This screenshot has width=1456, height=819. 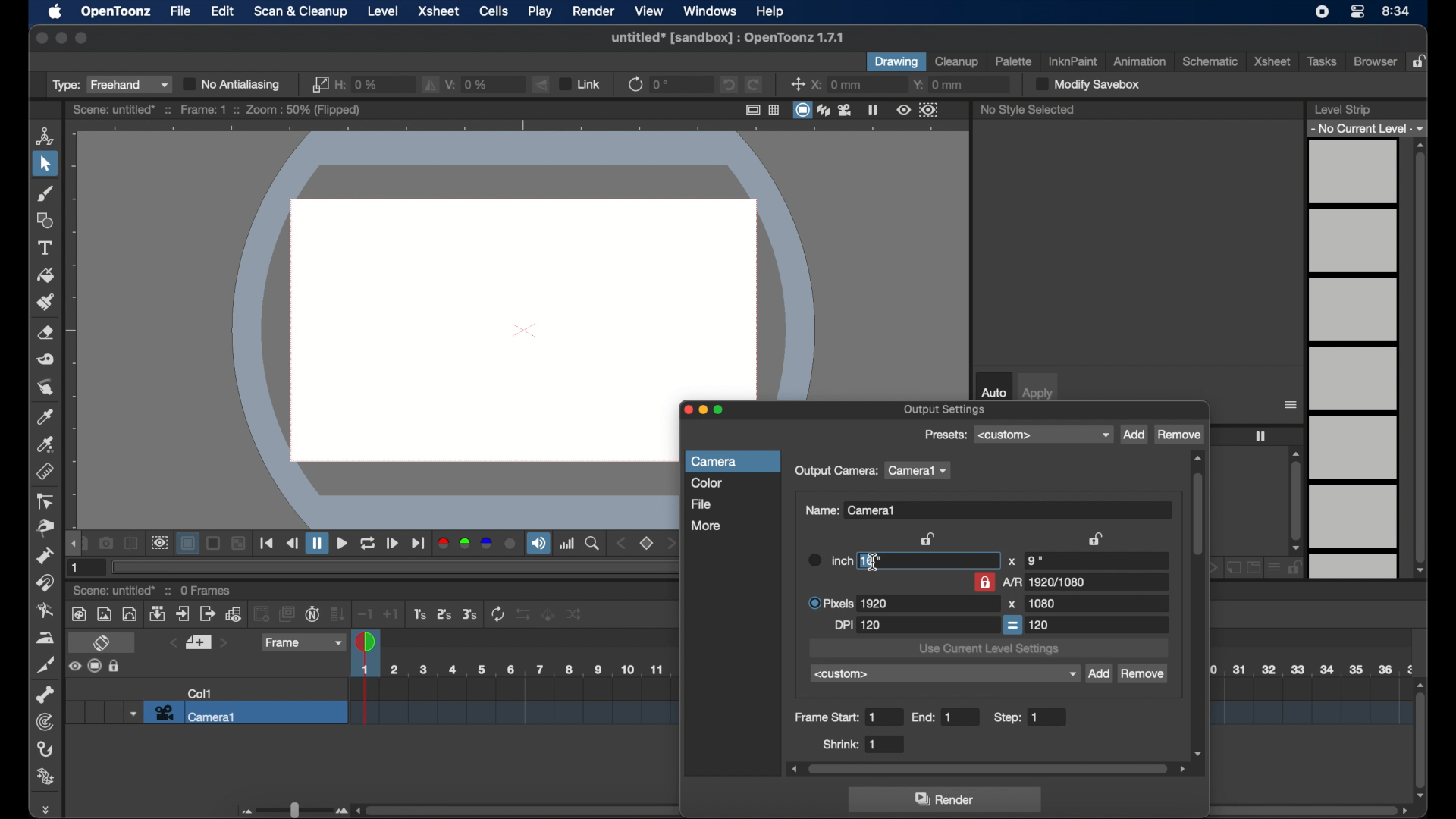 What do you see at coordinates (105, 616) in the screenshot?
I see `` at bounding box center [105, 616].